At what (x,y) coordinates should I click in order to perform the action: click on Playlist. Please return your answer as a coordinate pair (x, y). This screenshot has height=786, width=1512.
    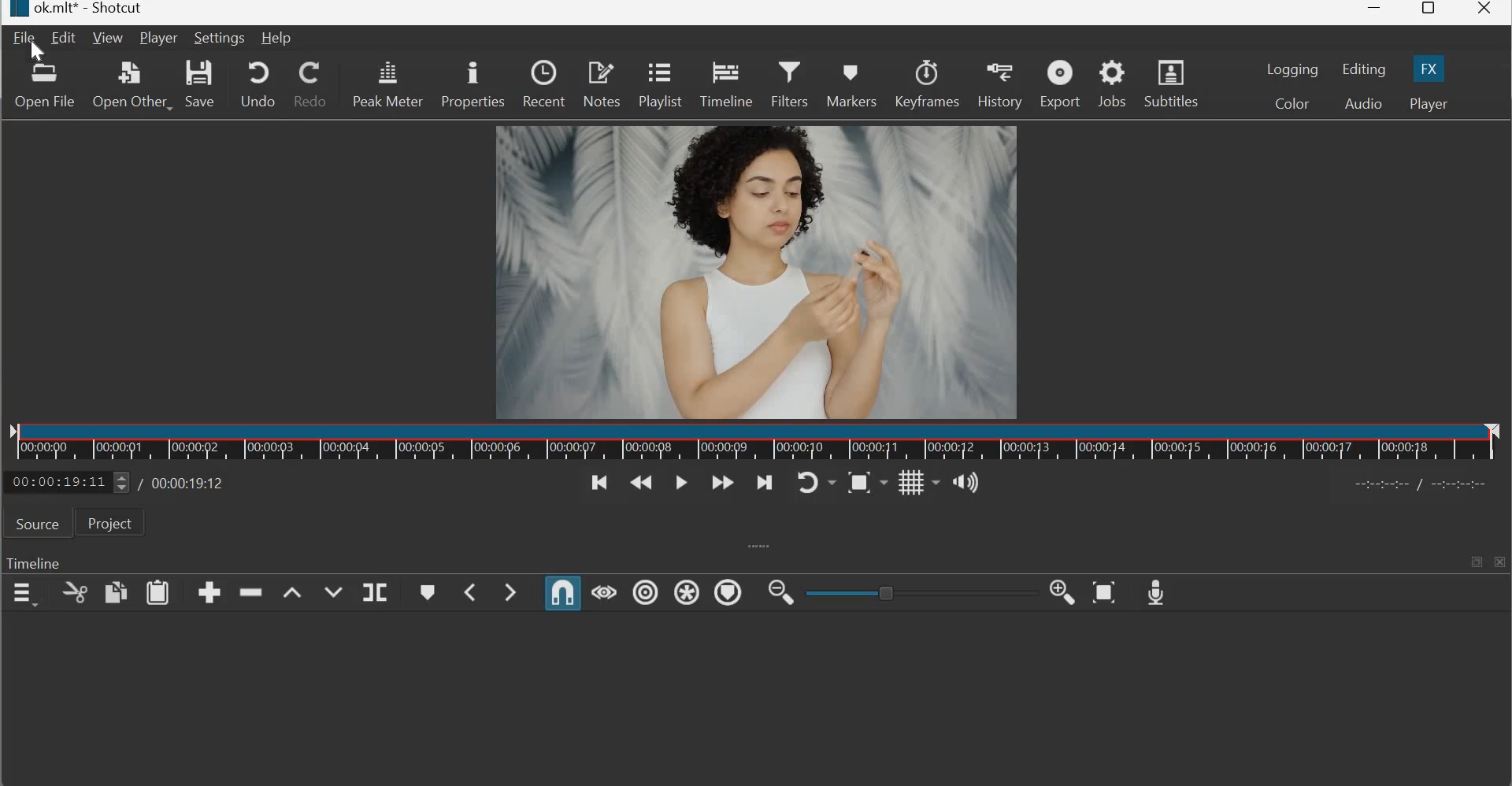
    Looking at the image, I should click on (663, 86).